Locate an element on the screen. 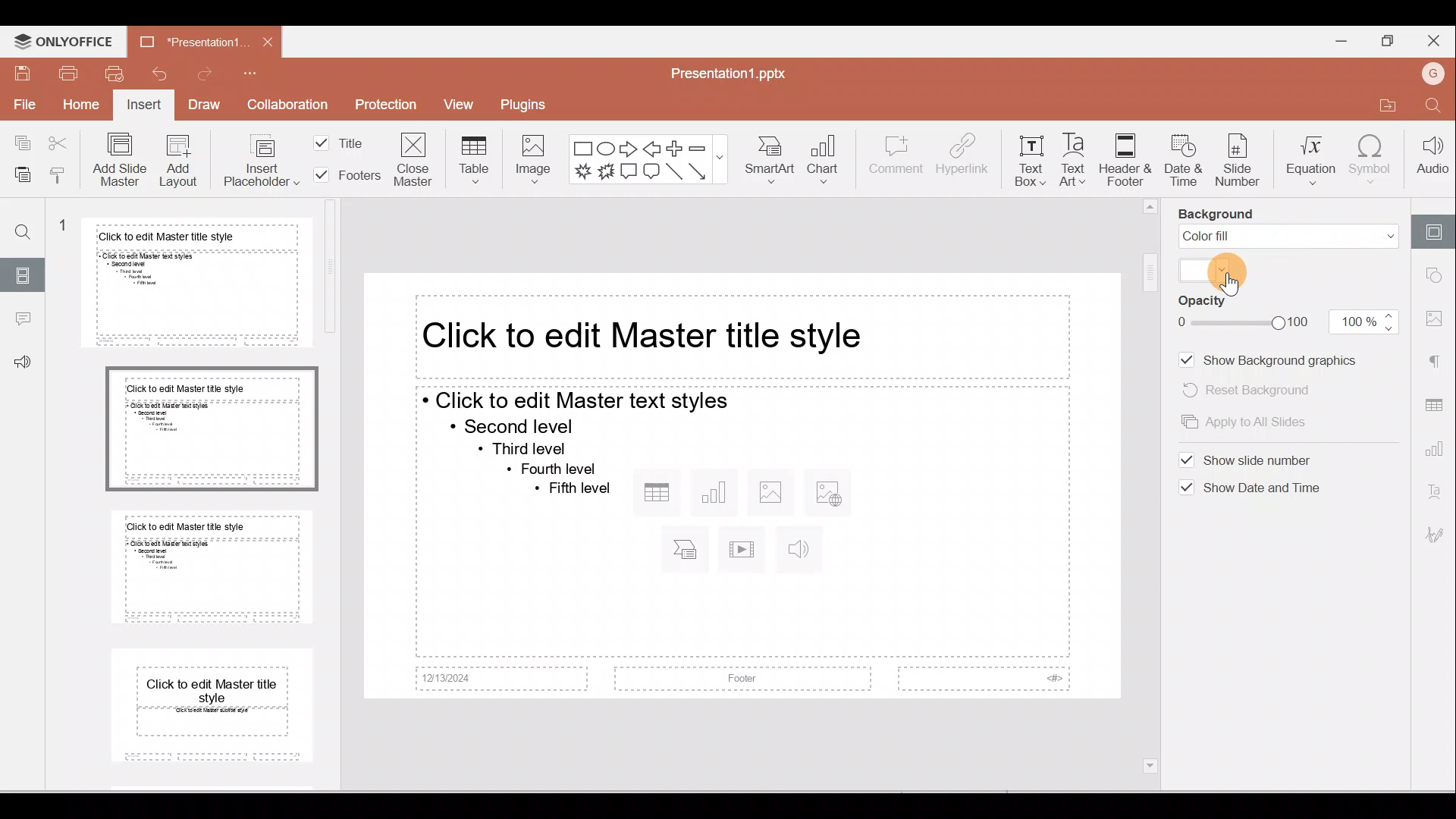 The image size is (1456, 819). Background is located at coordinates (1219, 214).